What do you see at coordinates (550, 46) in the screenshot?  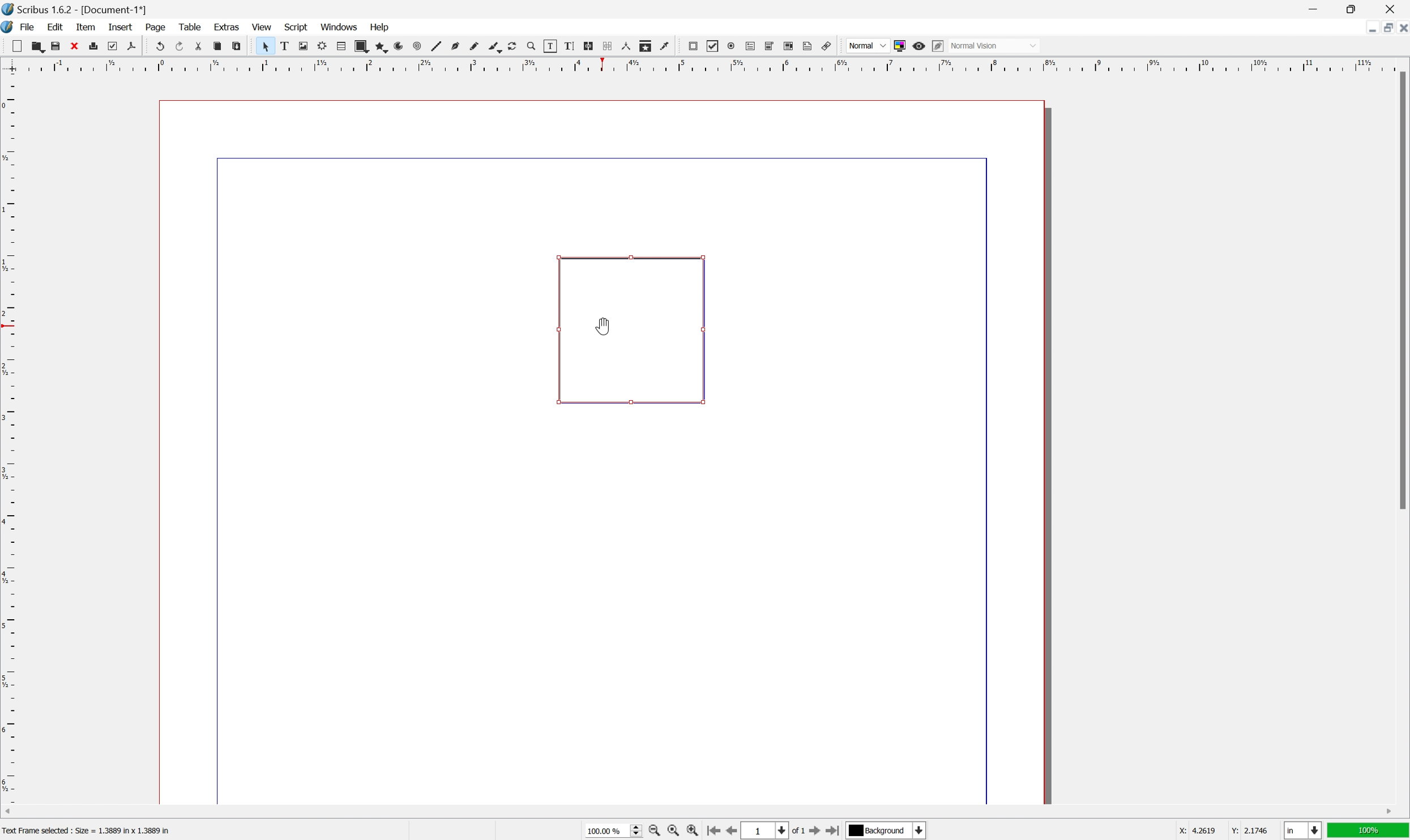 I see `edit contents of frame` at bounding box center [550, 46].